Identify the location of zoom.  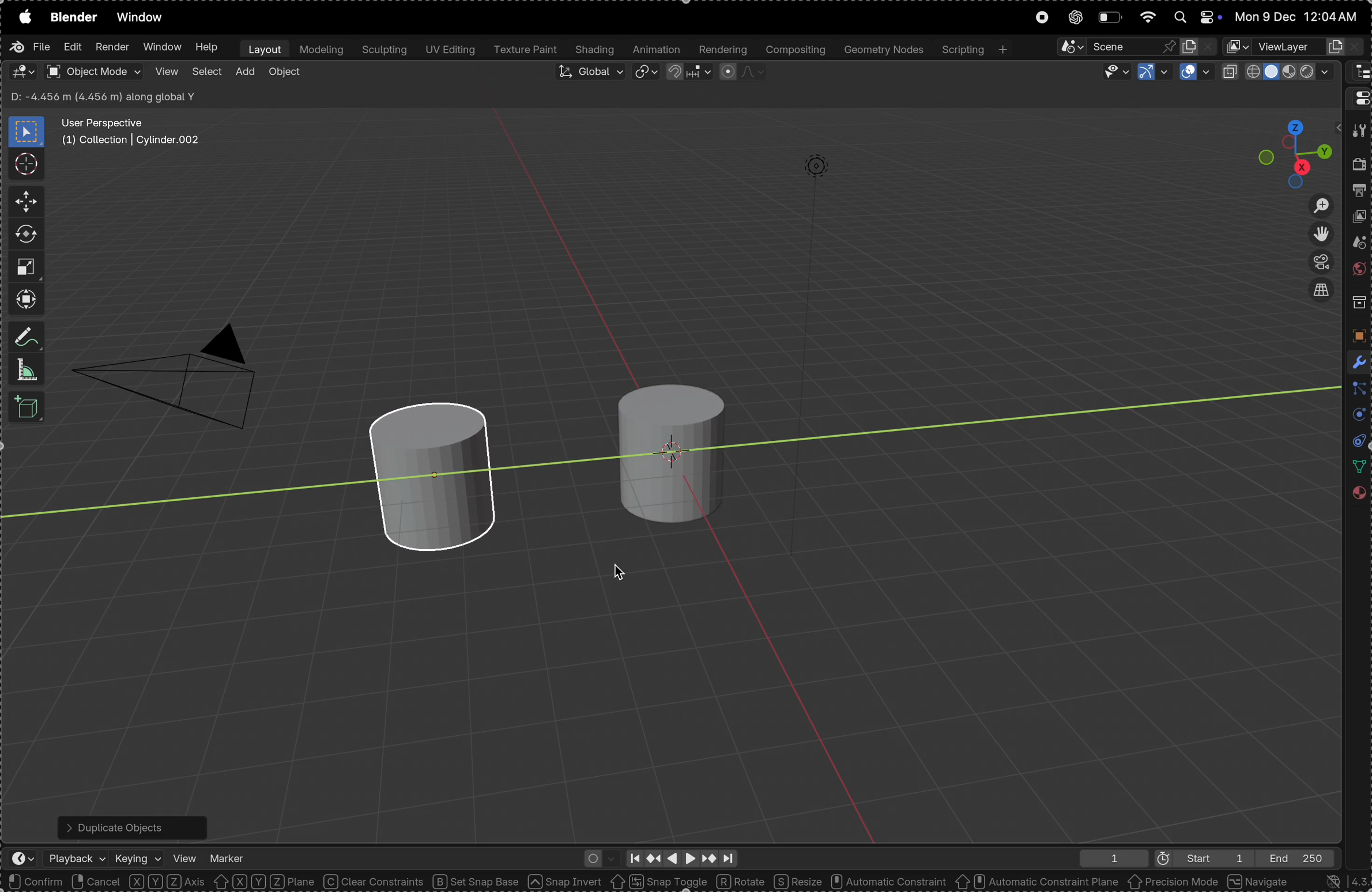
(1314, 205).